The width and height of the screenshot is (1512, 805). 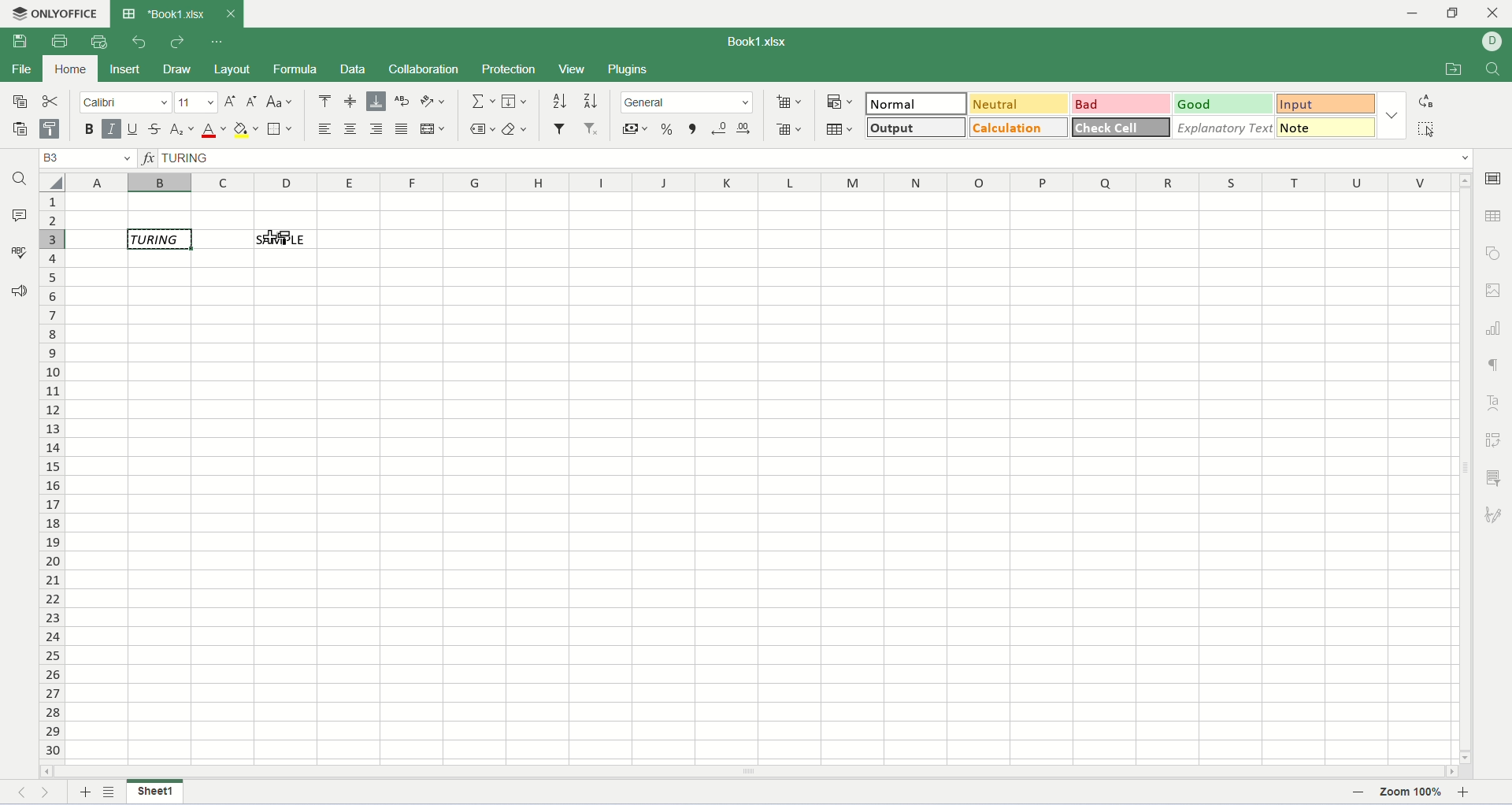 What do you see at coordinates (214, 130) in the screenshot?
I see `font color` at bounding box center [214, 130].